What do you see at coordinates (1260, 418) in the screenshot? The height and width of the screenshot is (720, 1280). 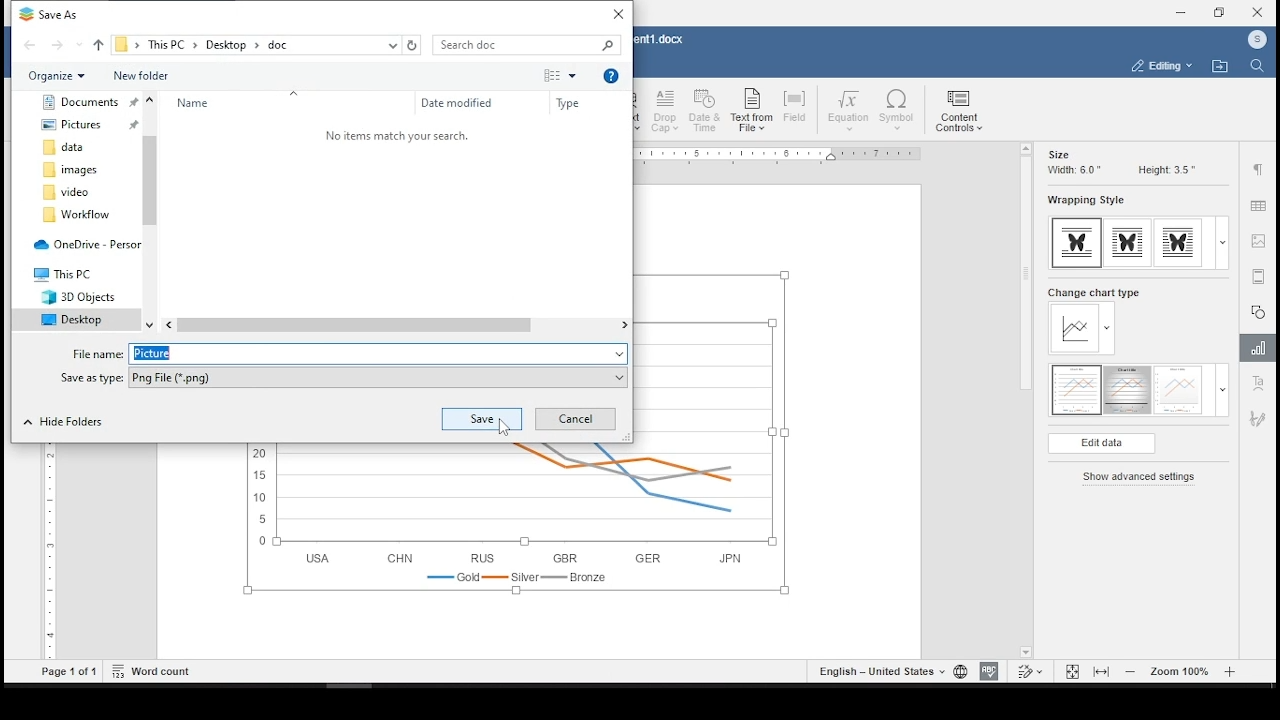 I see `signature` at bounding box center [1260, 418].